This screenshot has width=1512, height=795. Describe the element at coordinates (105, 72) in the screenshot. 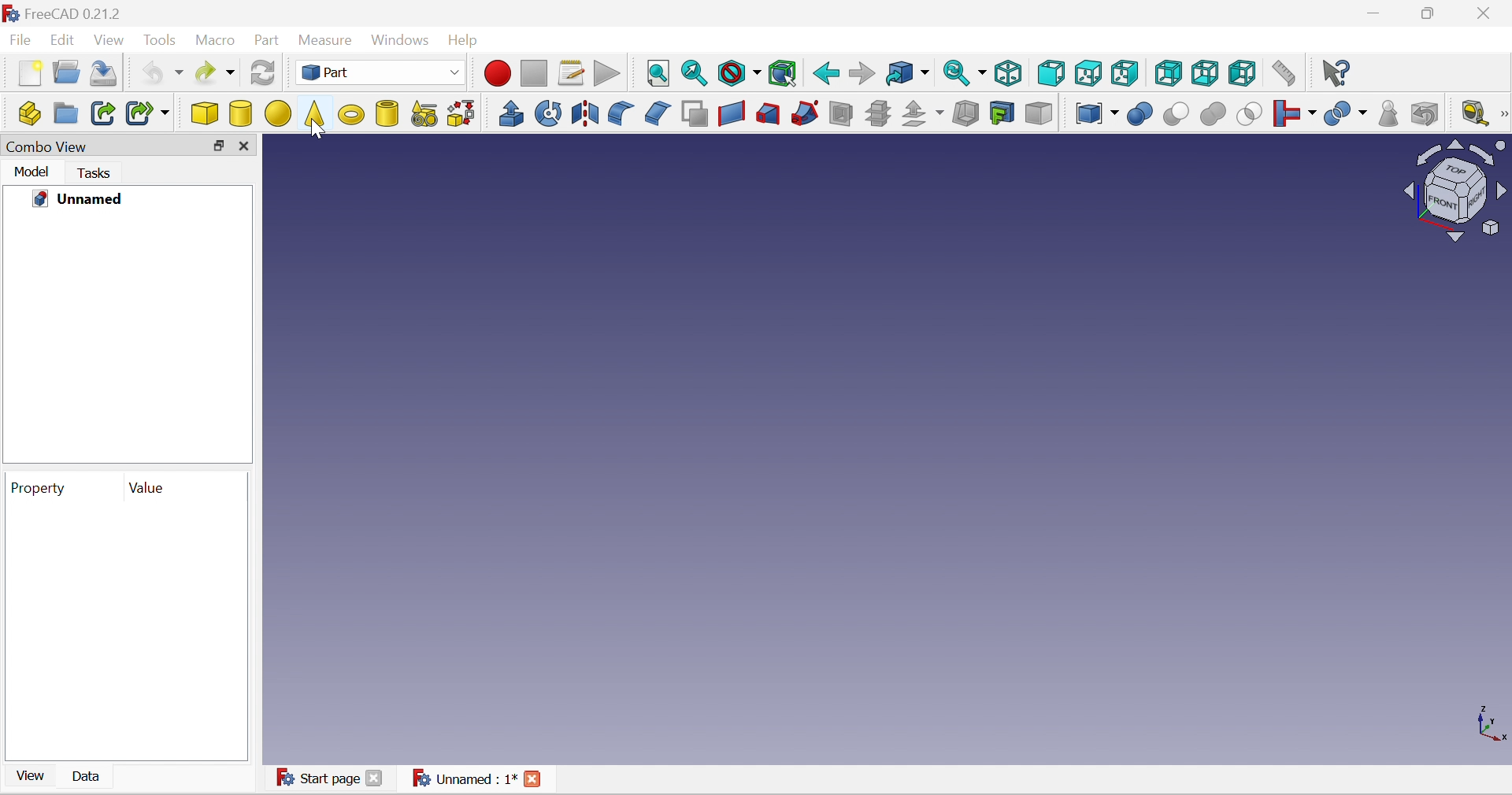

I see `Save` at that location.